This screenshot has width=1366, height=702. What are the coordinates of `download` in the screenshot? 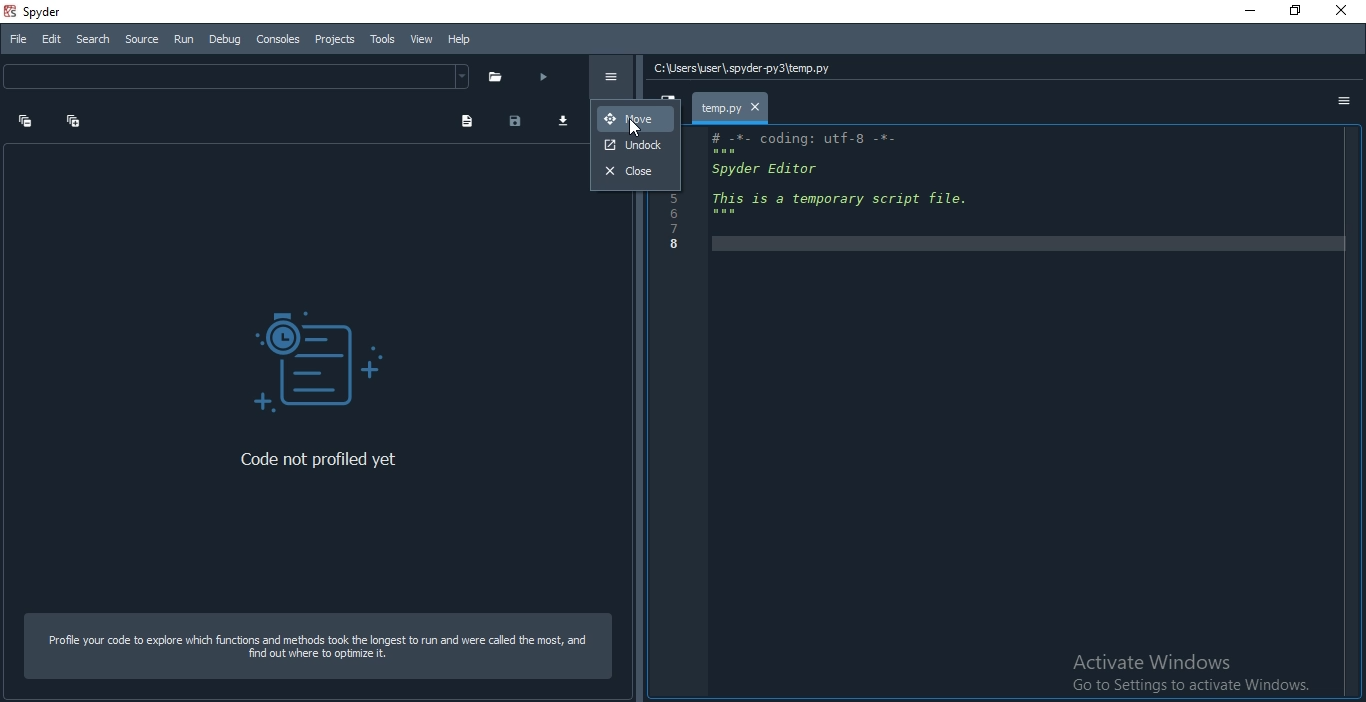 It's located at (567, 123).